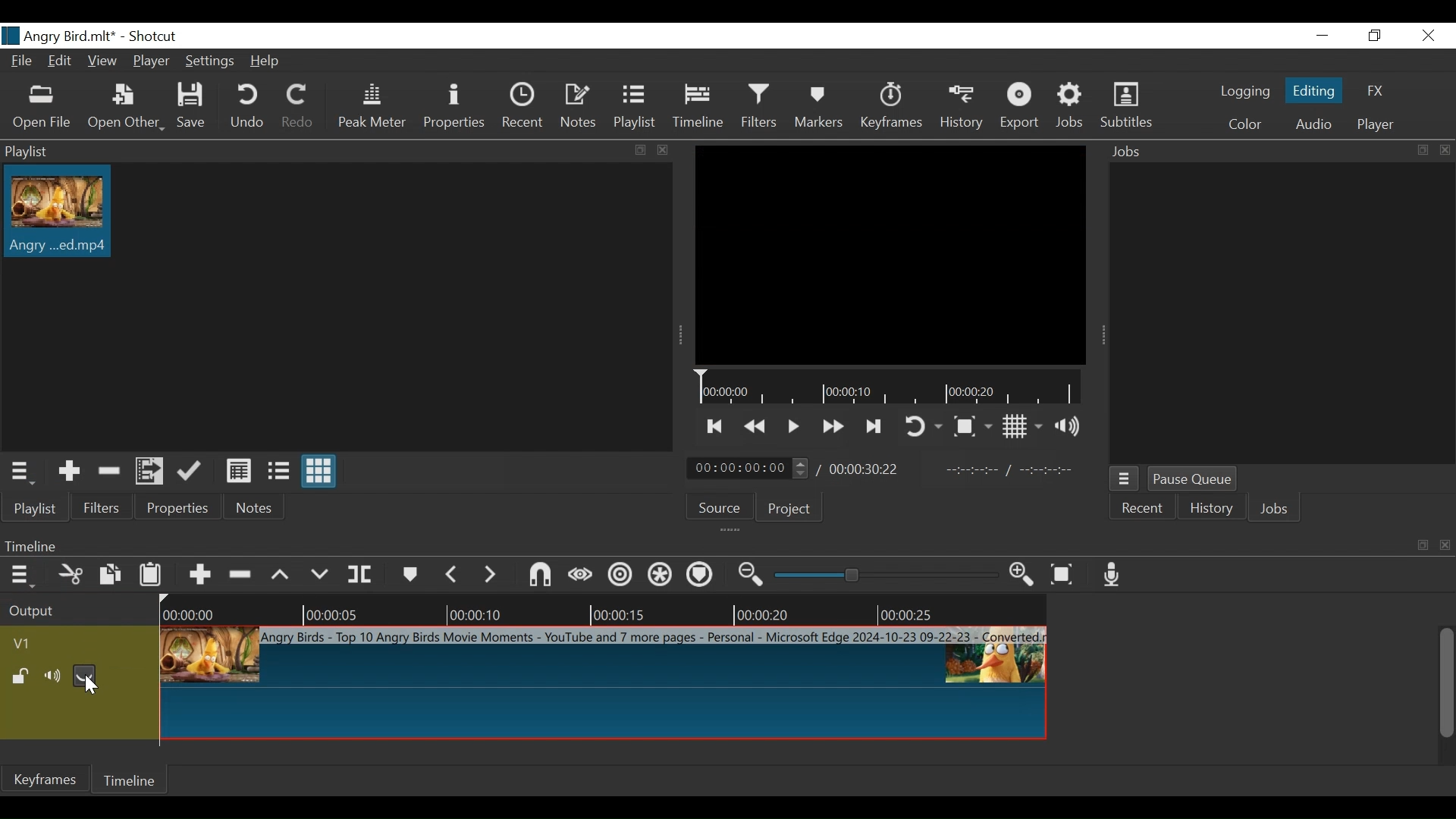 This screenshot has width=1456, height=819. What do you see at coordinates (1111, 574) in the screenshot?
I see `Record audio` at bounding box center [1111, 574].